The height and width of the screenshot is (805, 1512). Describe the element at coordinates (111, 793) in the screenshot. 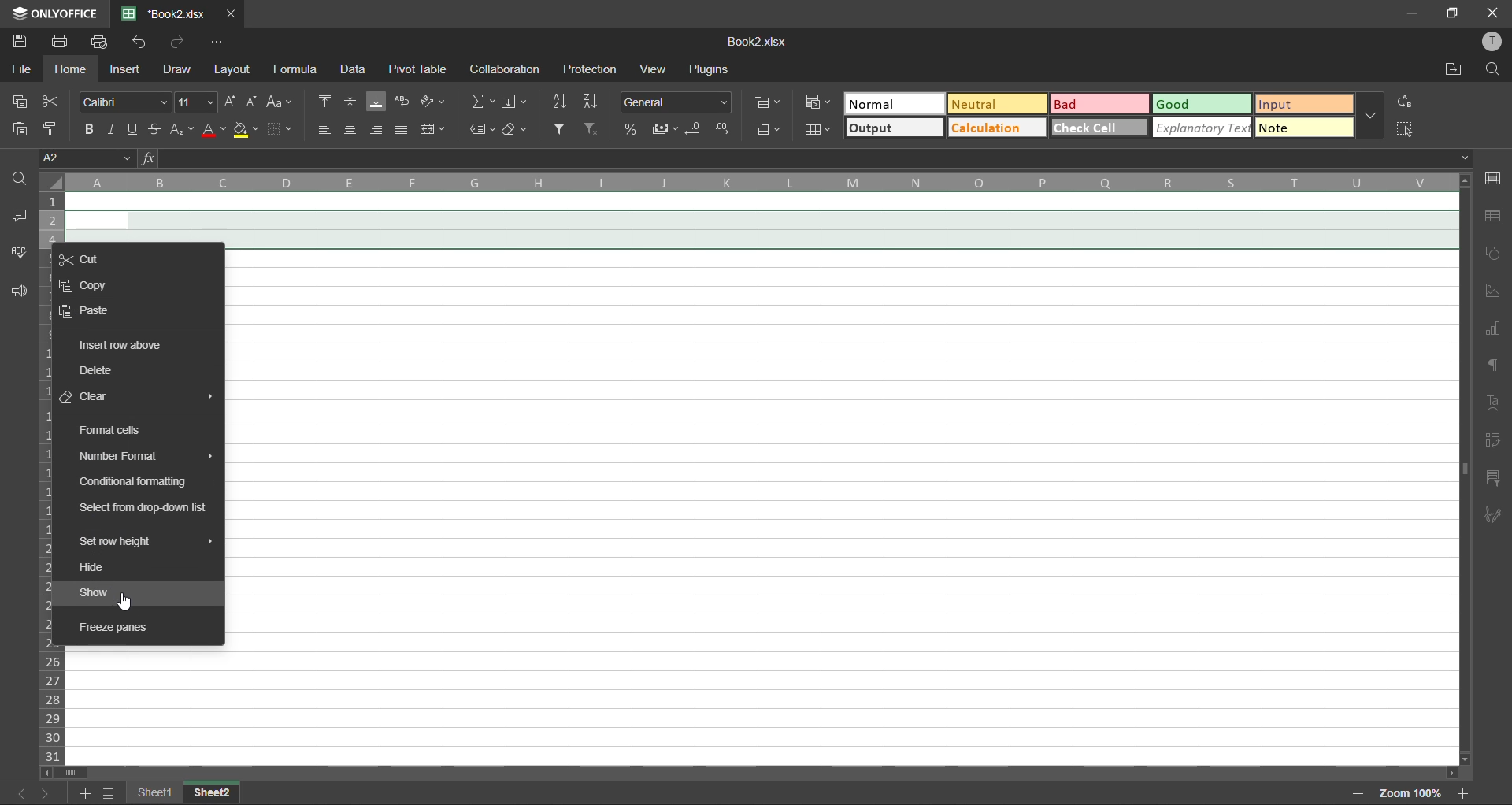

I see `sheet list` at that location.